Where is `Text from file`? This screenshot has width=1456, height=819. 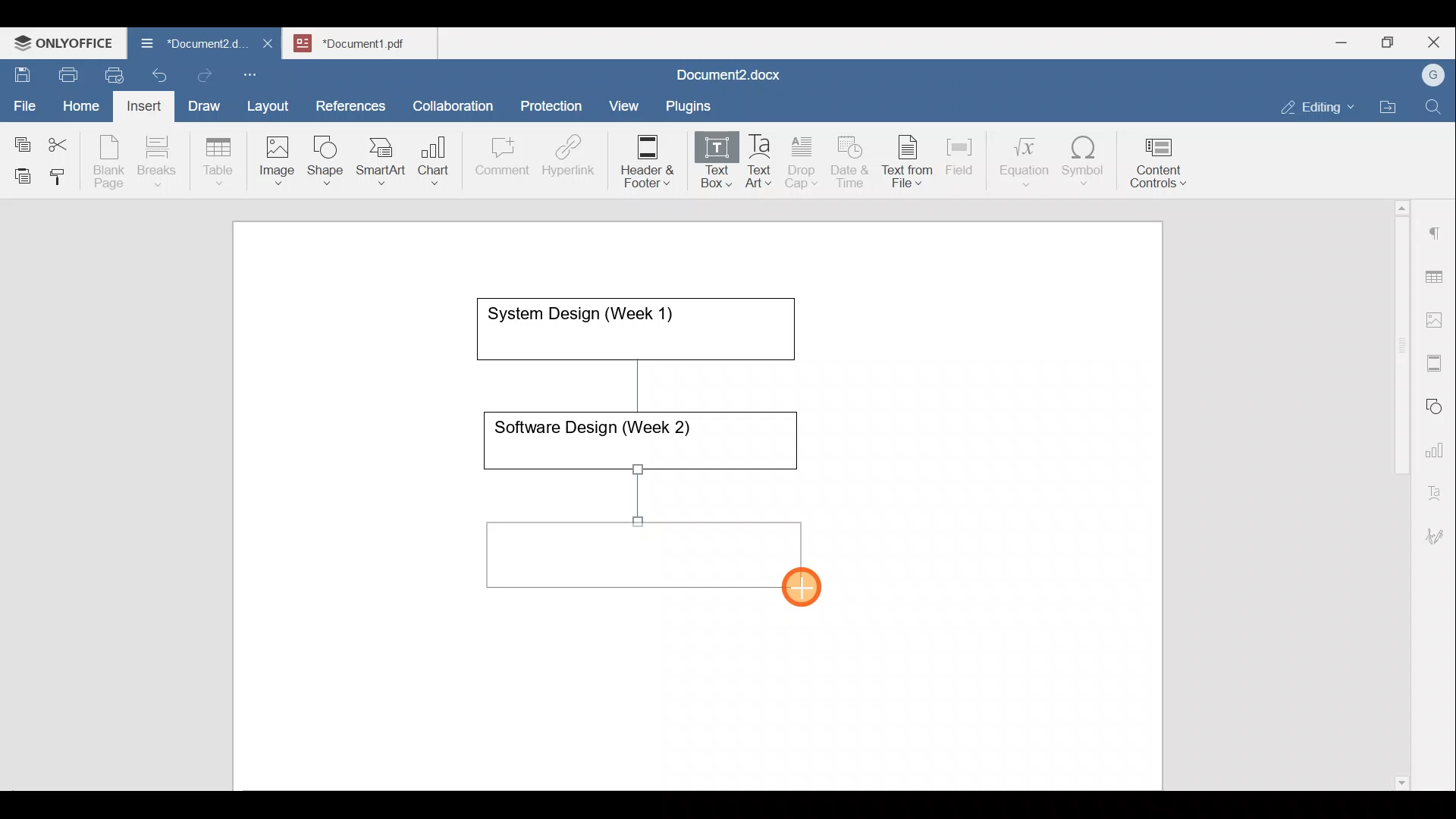 Text from file is located at coordinates (910, 160).